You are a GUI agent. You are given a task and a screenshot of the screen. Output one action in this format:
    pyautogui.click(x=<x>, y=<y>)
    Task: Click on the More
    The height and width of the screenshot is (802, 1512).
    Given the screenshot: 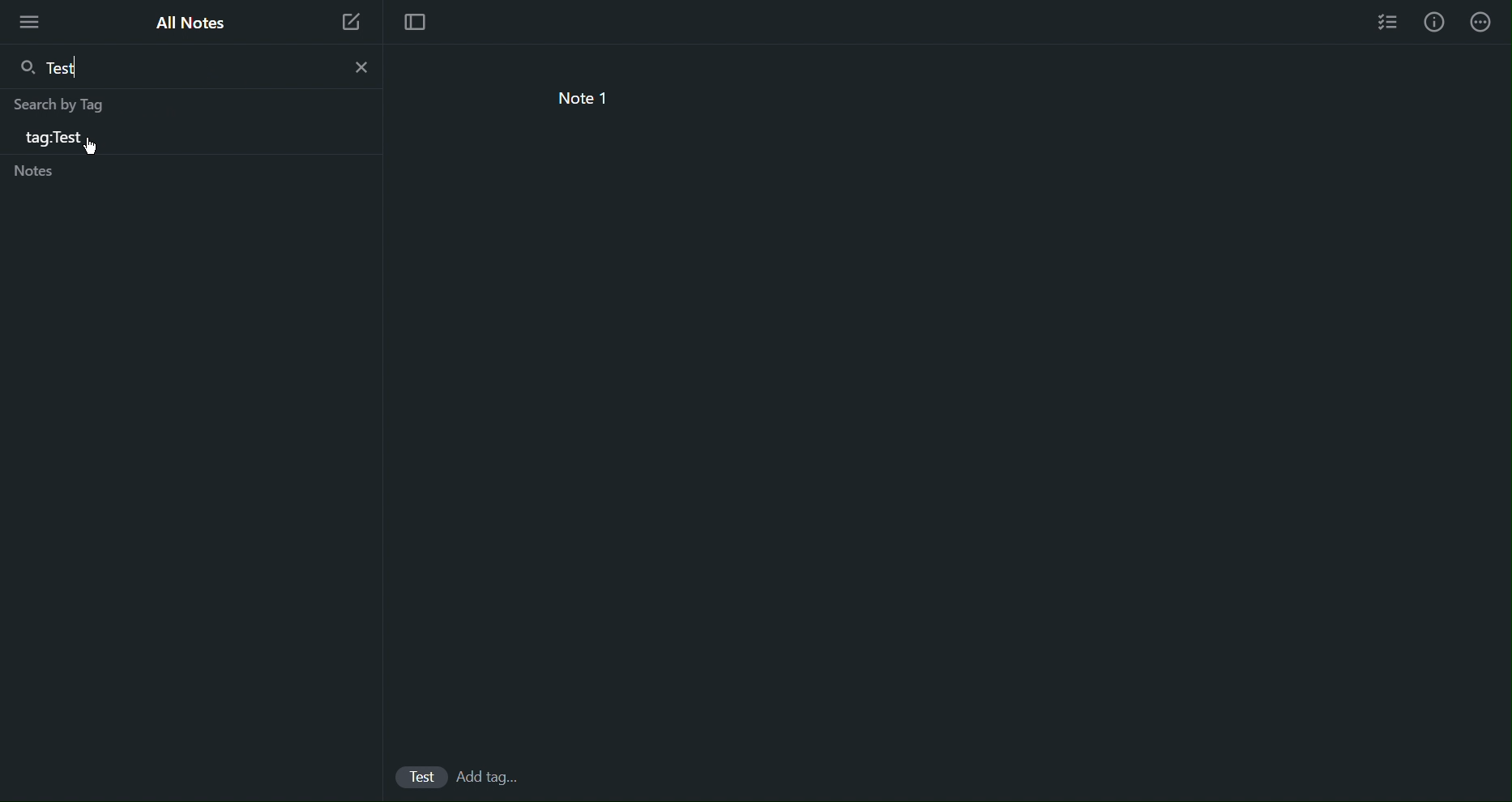 What is the action you would take?
    pyautogui.click(x=30, y=22)
    